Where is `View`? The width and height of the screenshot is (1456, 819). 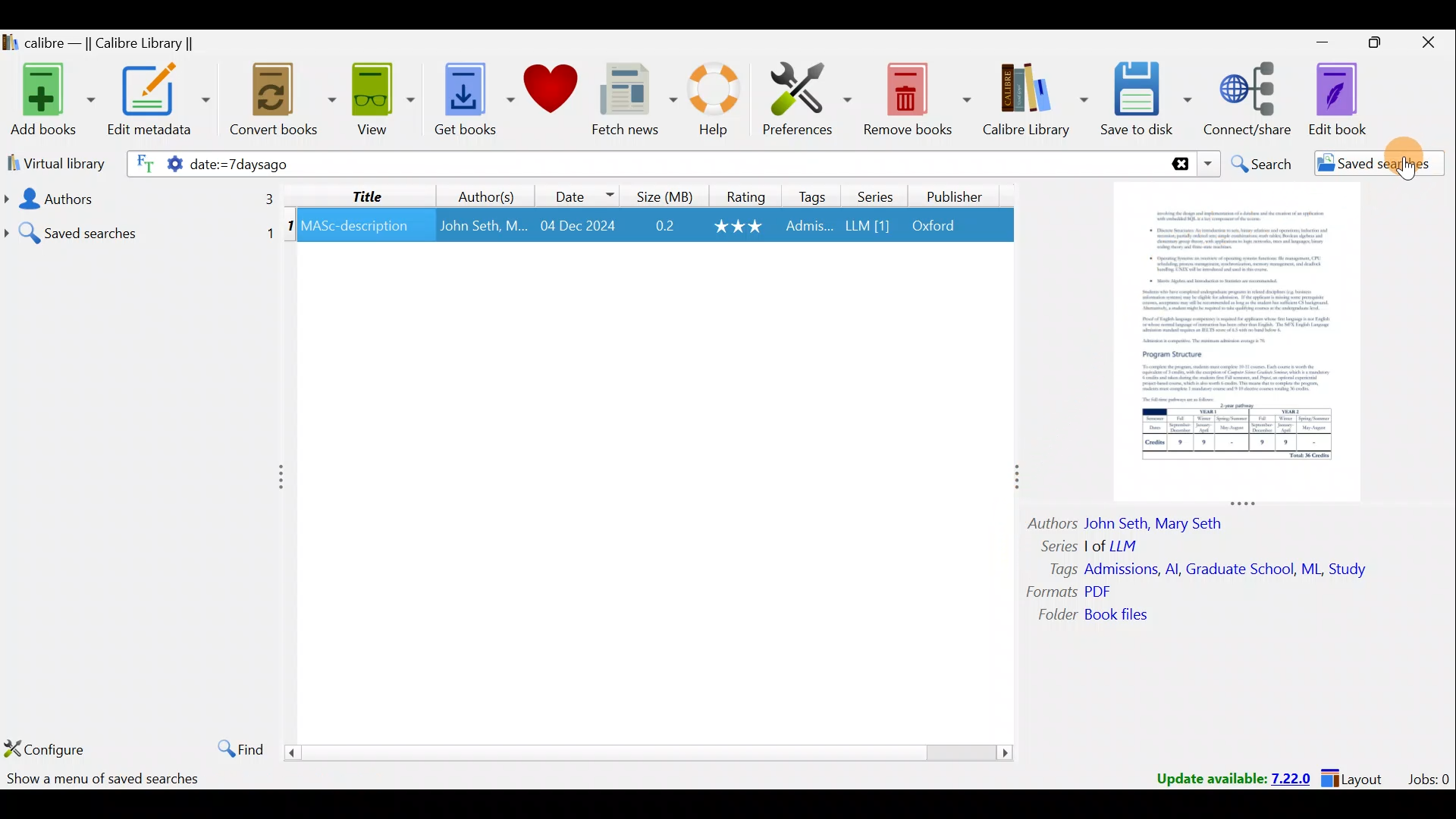 View is located at coordinates (379, 101).